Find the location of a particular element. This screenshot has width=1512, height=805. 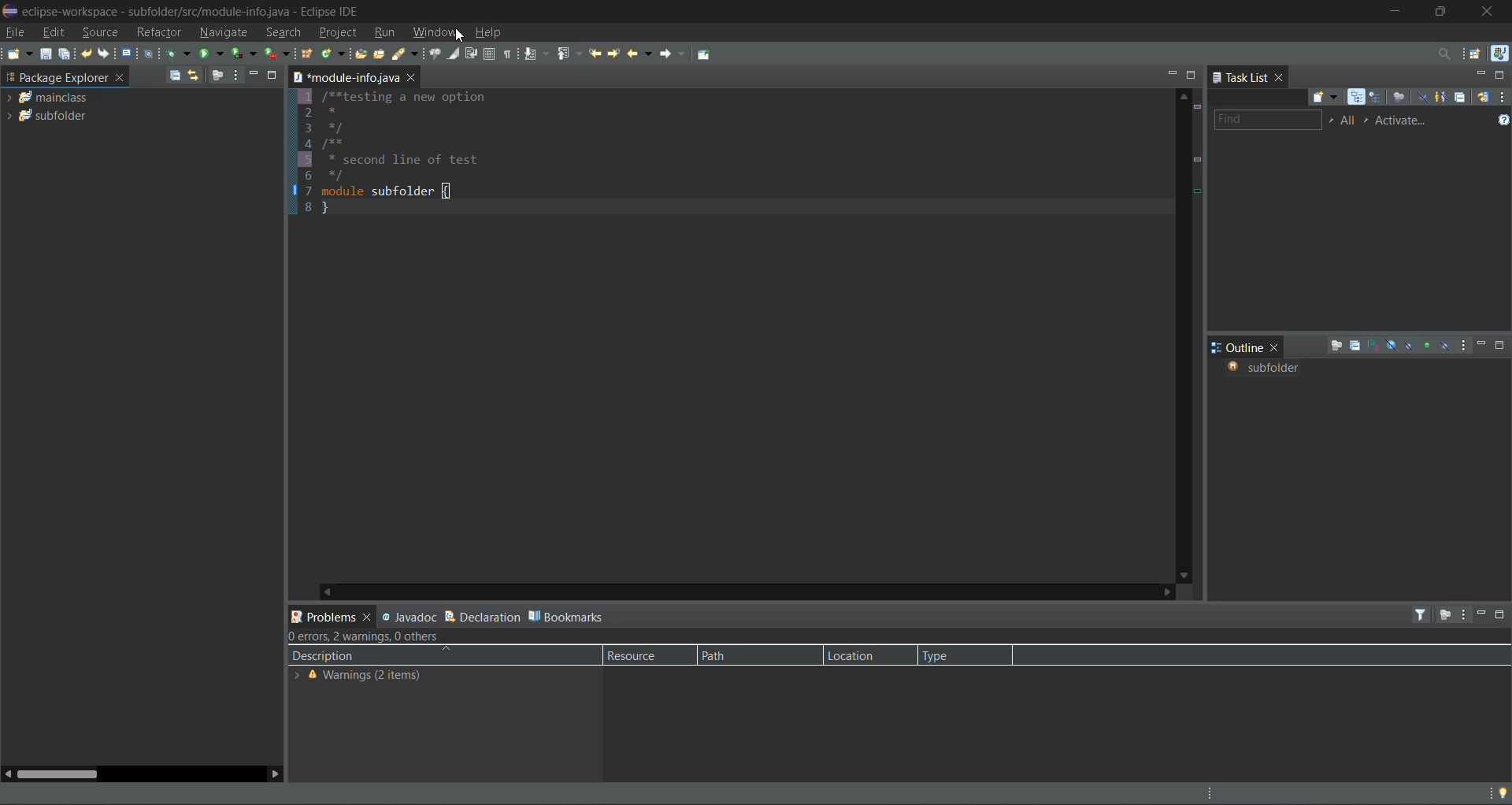

horizontal scroll bar is located at coordinates (62, 773).